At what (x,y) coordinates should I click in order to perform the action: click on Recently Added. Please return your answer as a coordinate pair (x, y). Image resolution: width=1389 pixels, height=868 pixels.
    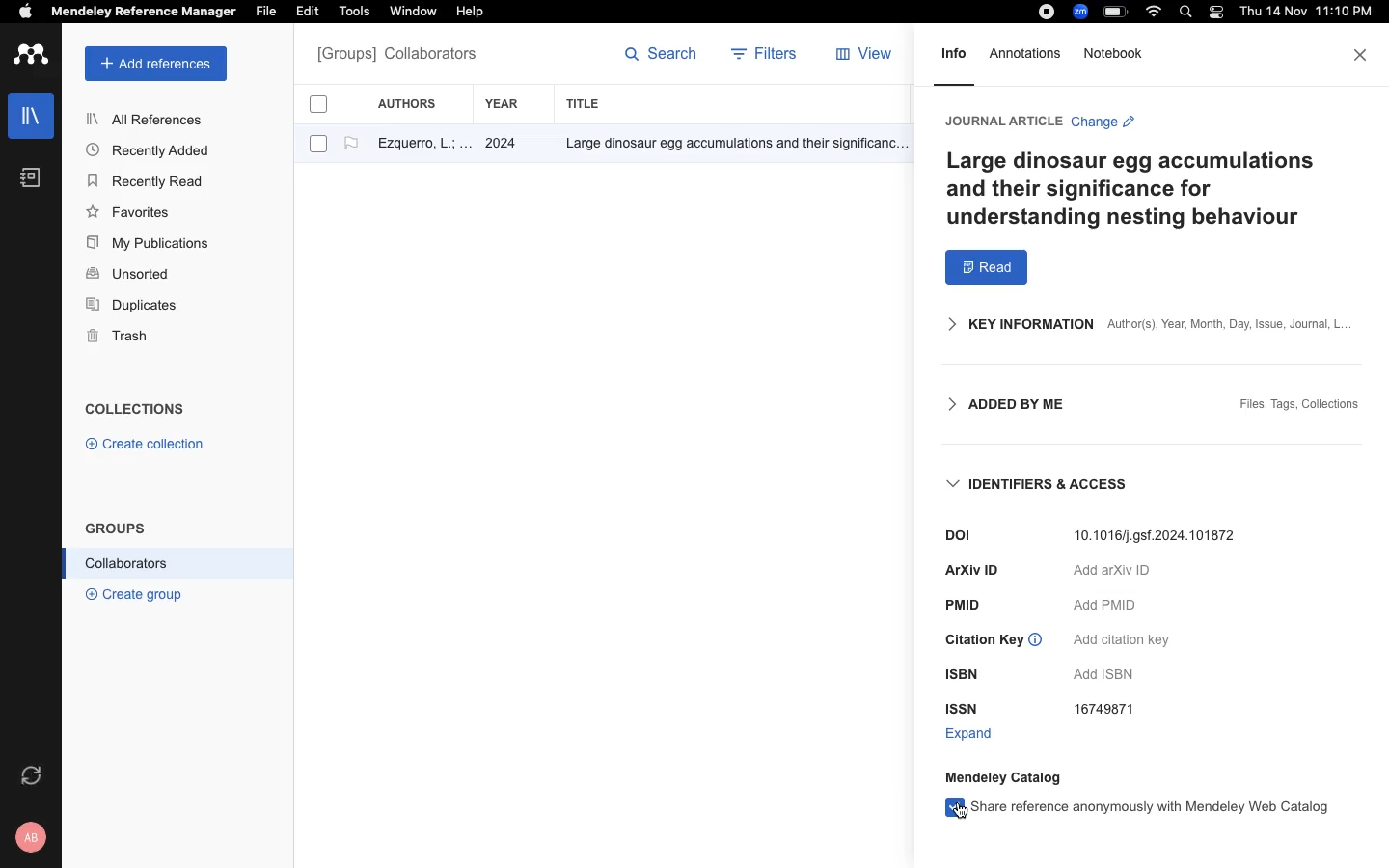
    Looking at the image, I should click on (153, 149).